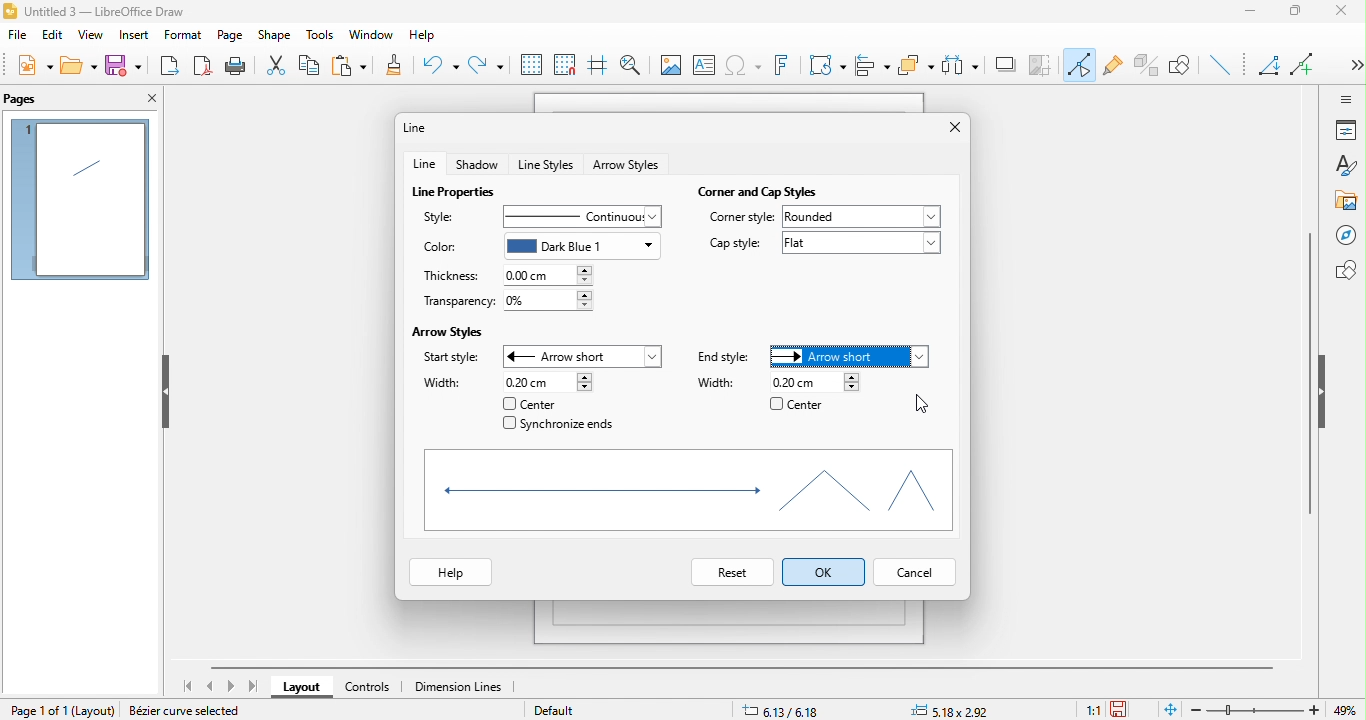 The image size is (1366, 720). I want to click on arrow short, so click(588, 355).